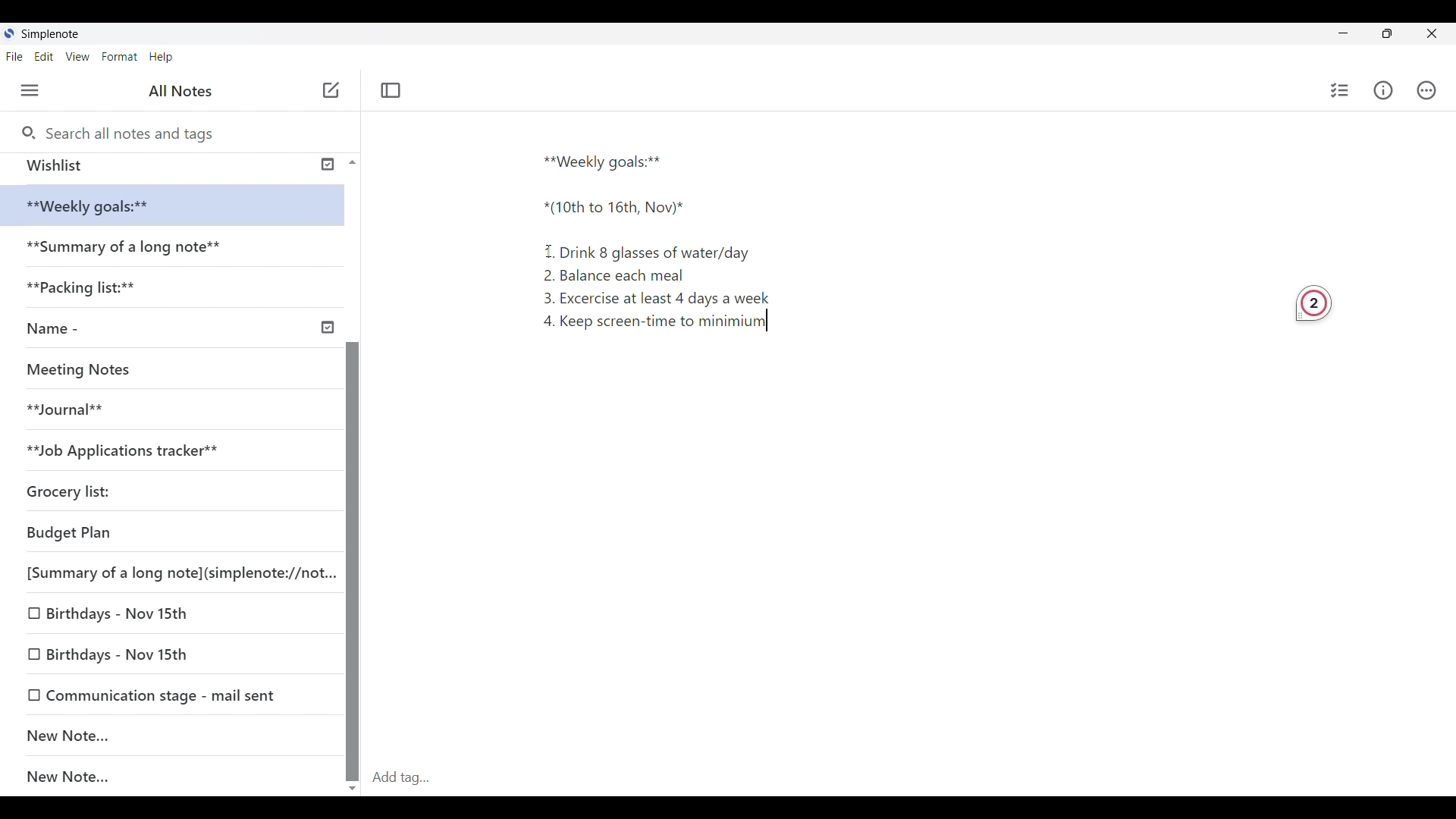 The image size is (1456, 819). What do you see at coordinates (172, 695) in the screenshot?
I see `Communication stage - mail sent` at bounding box center [172, 695].